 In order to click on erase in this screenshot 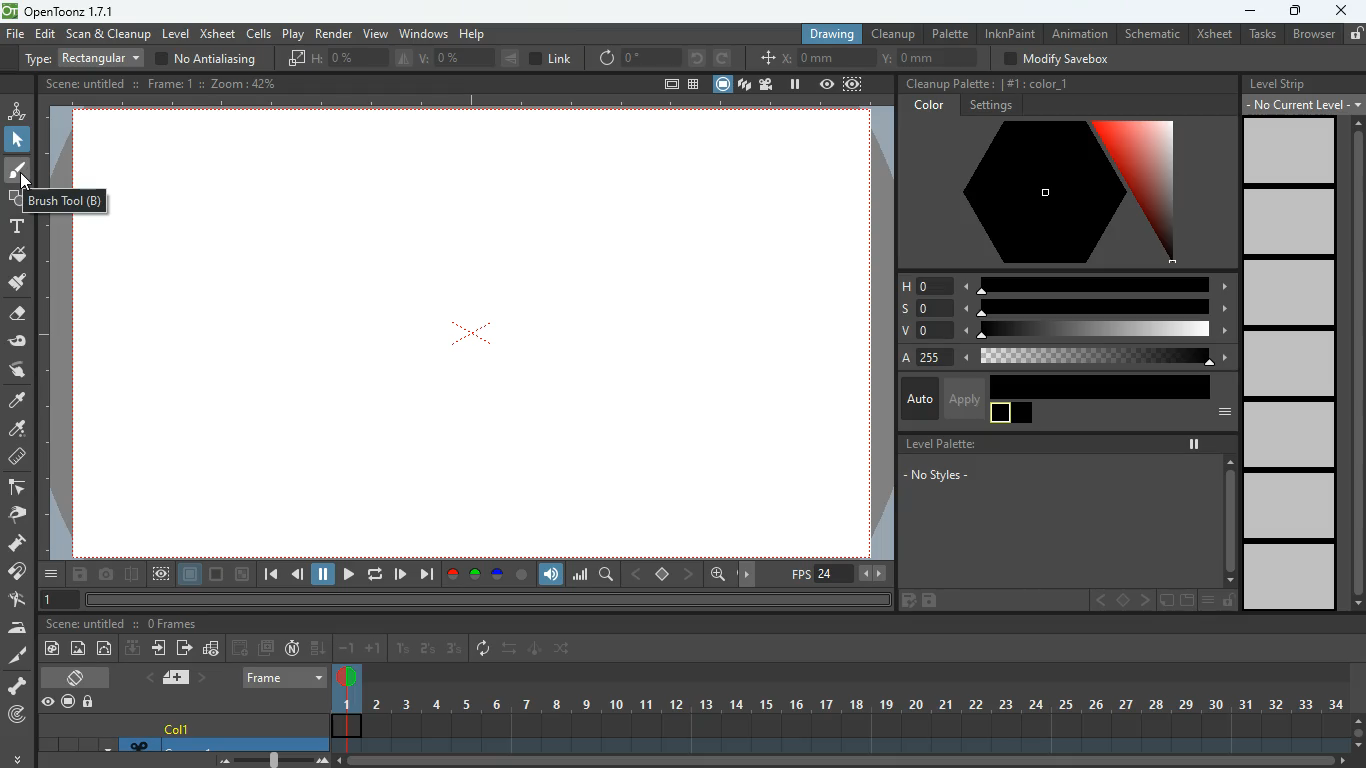, I will do `click(15, 315)`.